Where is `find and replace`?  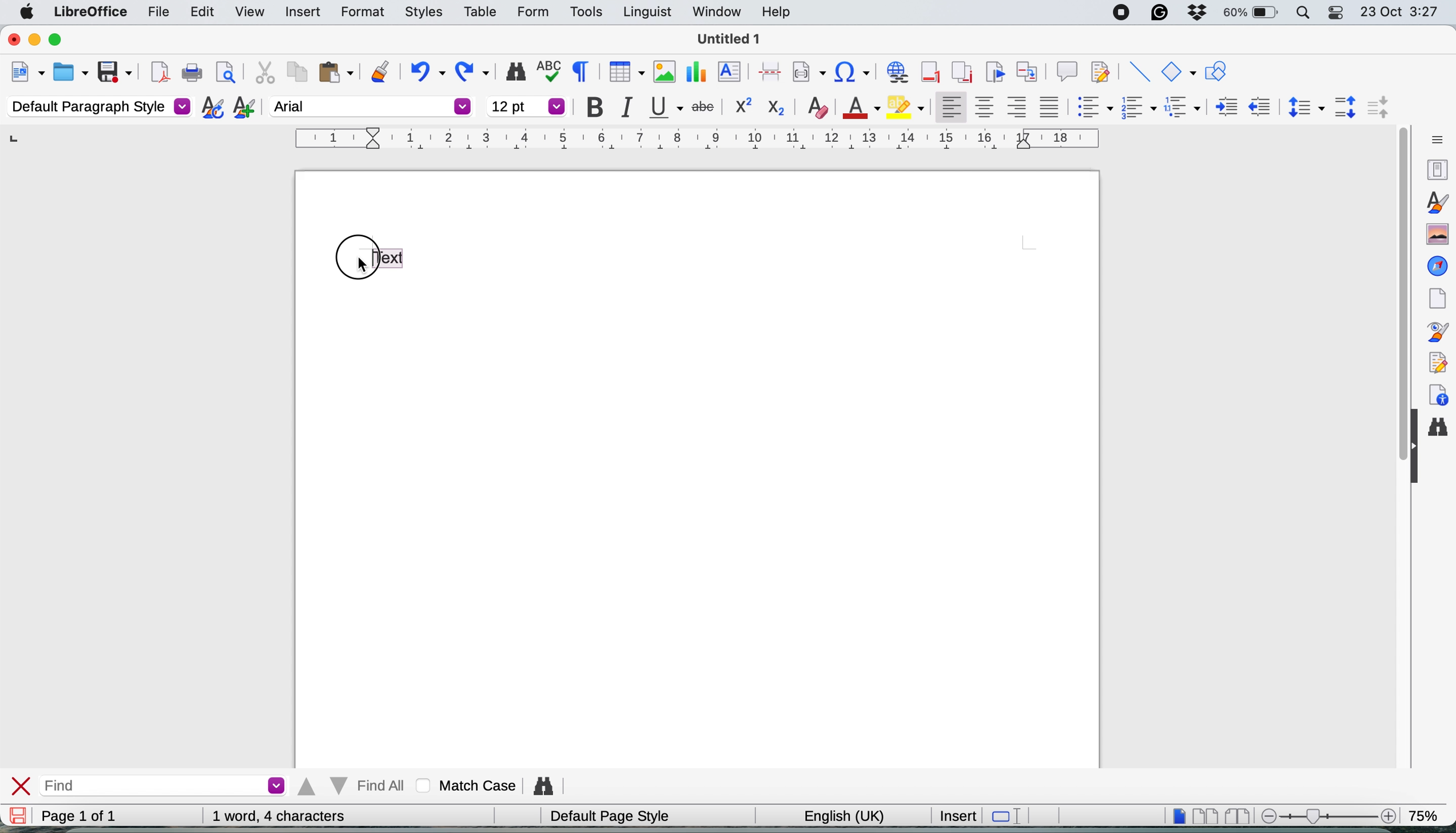
find and replace is located at coordinates (512, 72).